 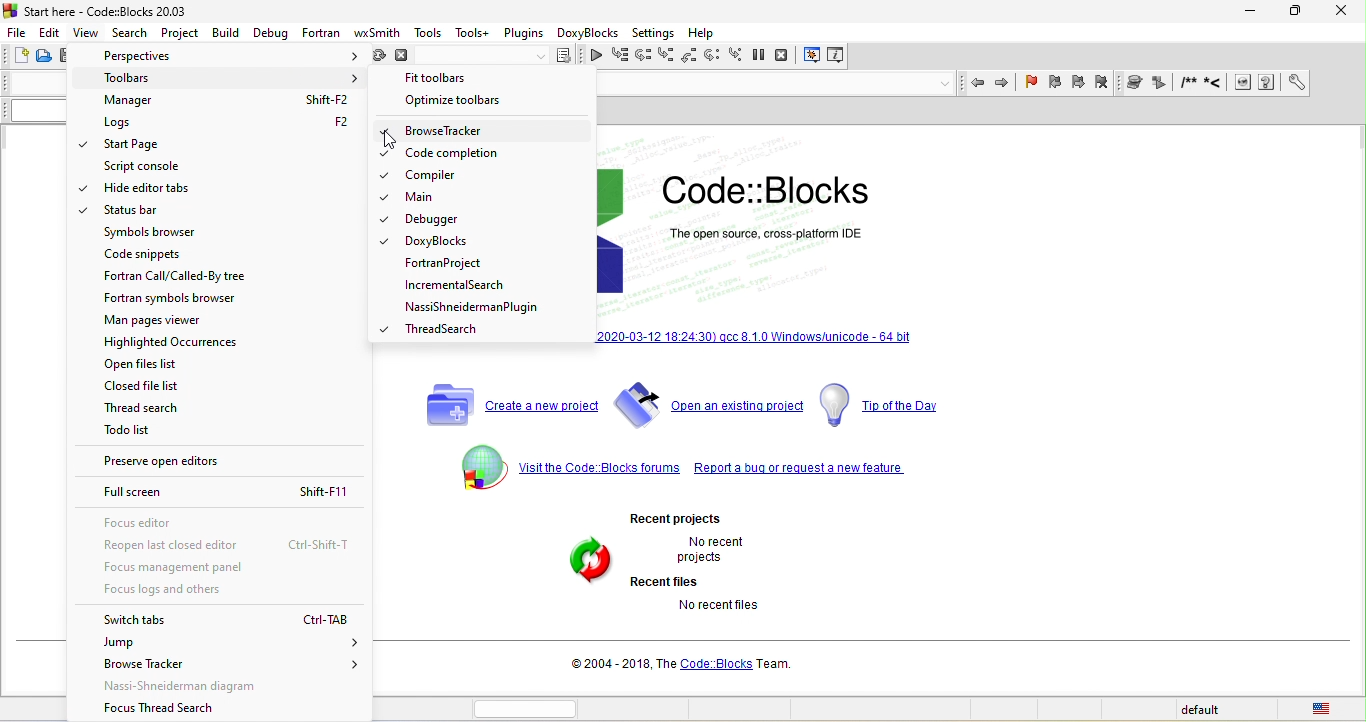 I want to click on full screen, so click(x=227, y=493).